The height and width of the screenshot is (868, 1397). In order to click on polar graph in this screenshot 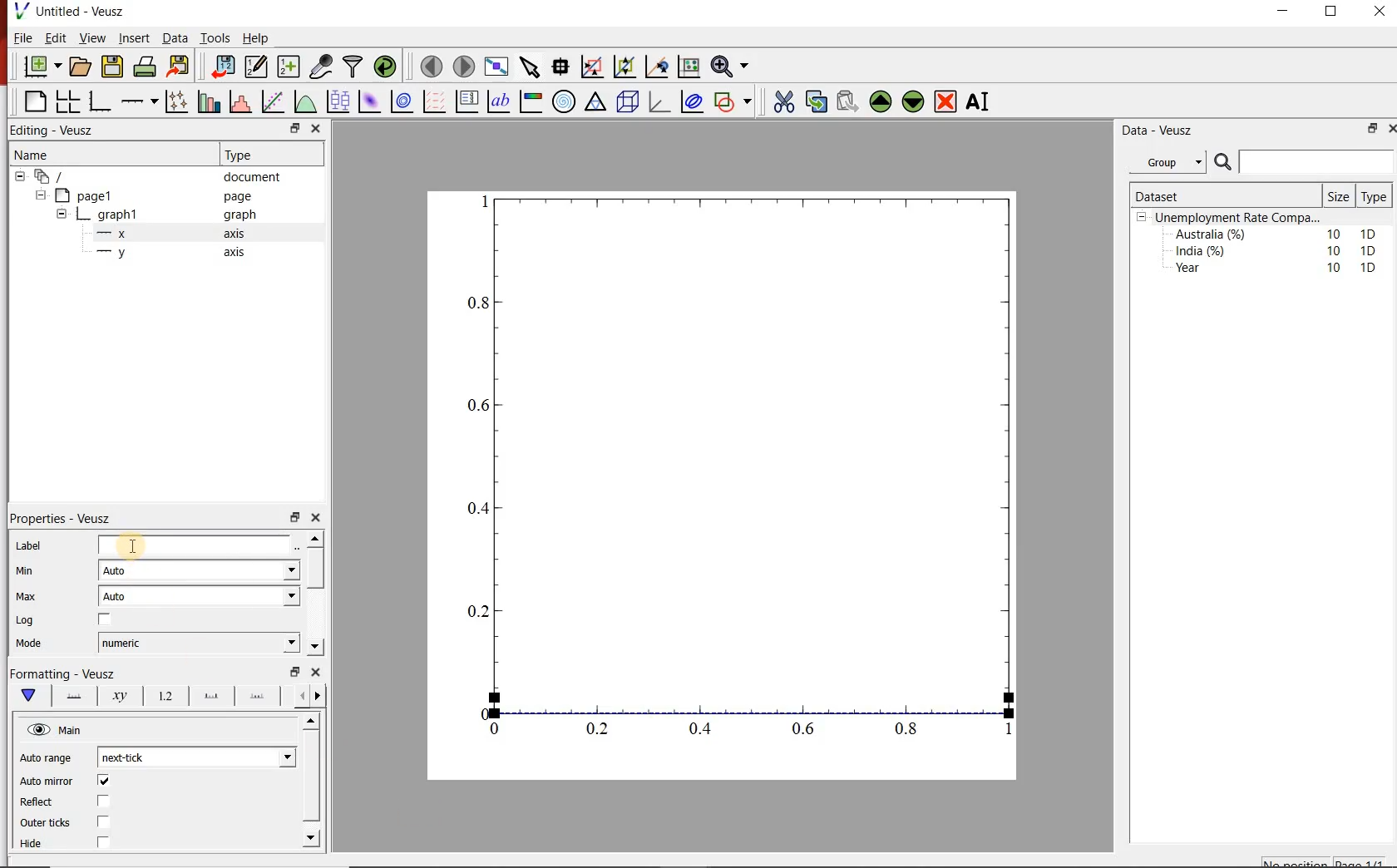, I will do `click(565, 102)`.